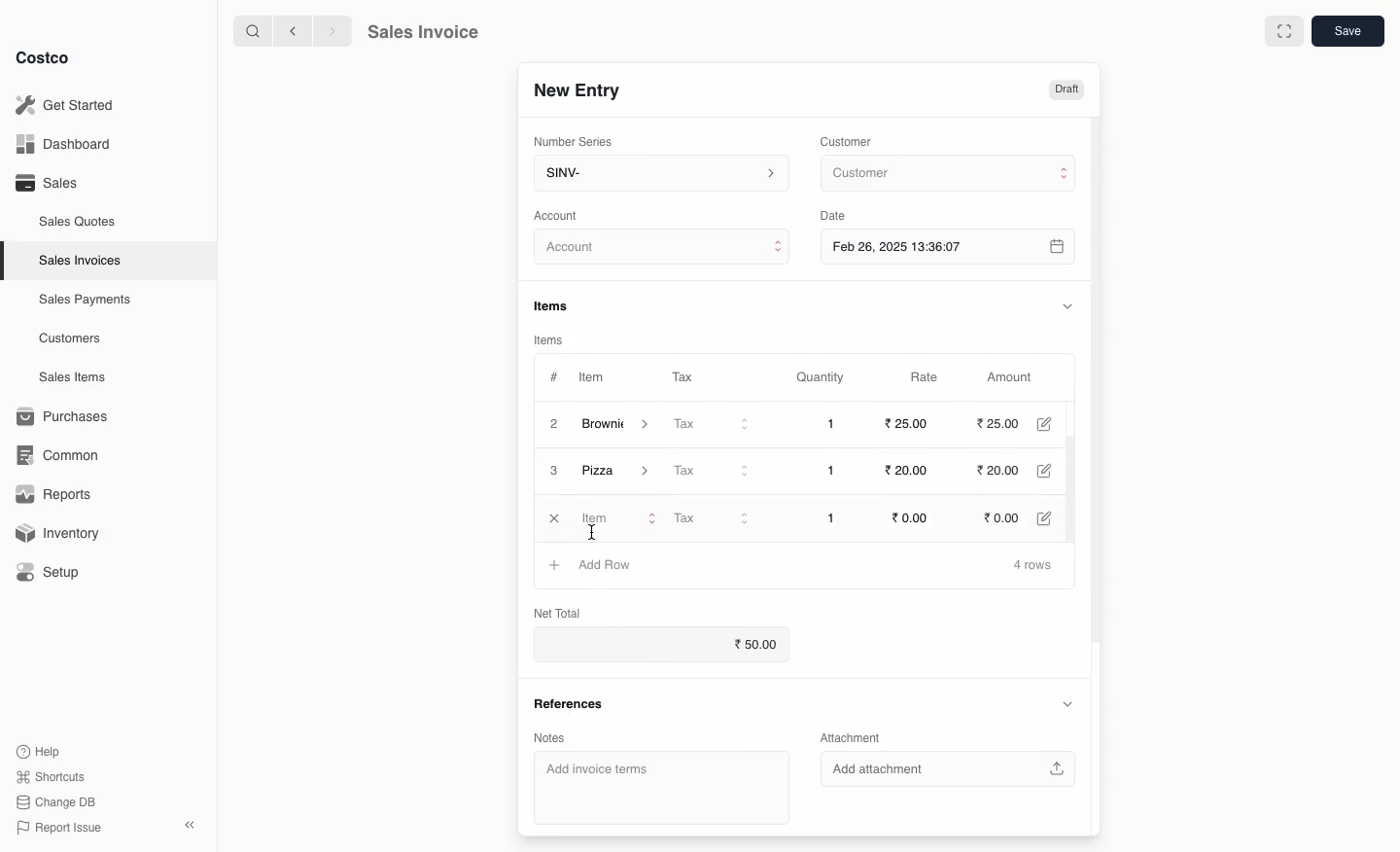 This screenshot has width=1400, height=852. Describe the element at coordinates (552, 423) in the screenshot. I see `2` at that location.